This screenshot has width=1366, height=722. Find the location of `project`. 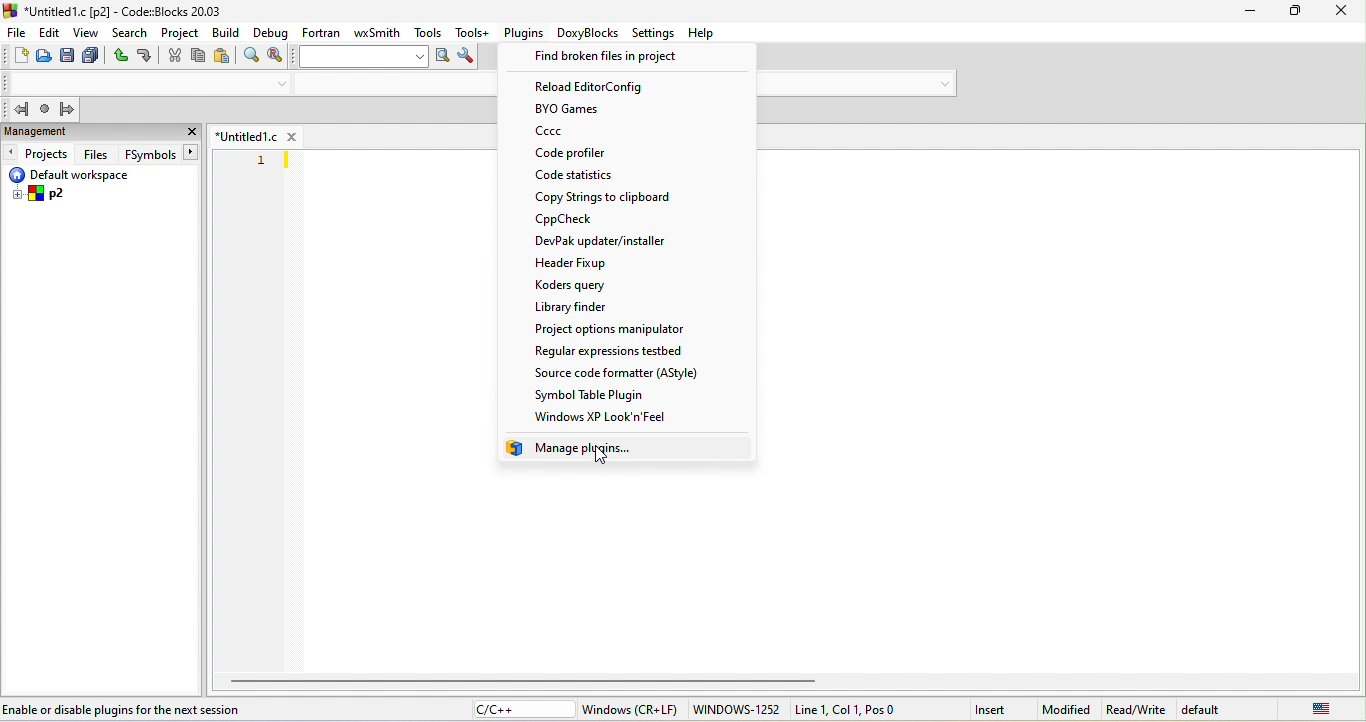

project is located at coordinates (182, 32).